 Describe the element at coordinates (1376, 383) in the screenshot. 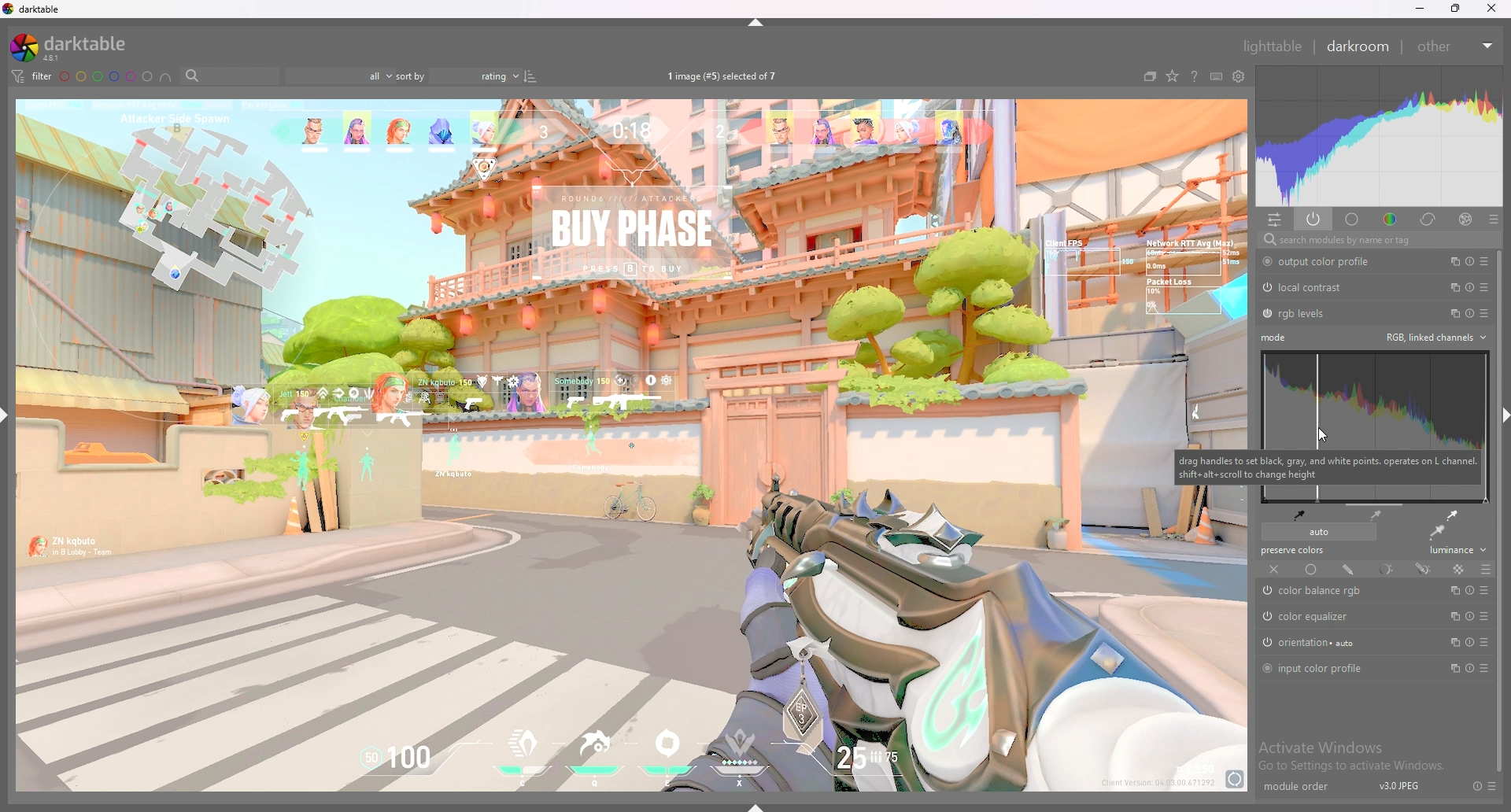

I see `shadow heatmap` at that location.